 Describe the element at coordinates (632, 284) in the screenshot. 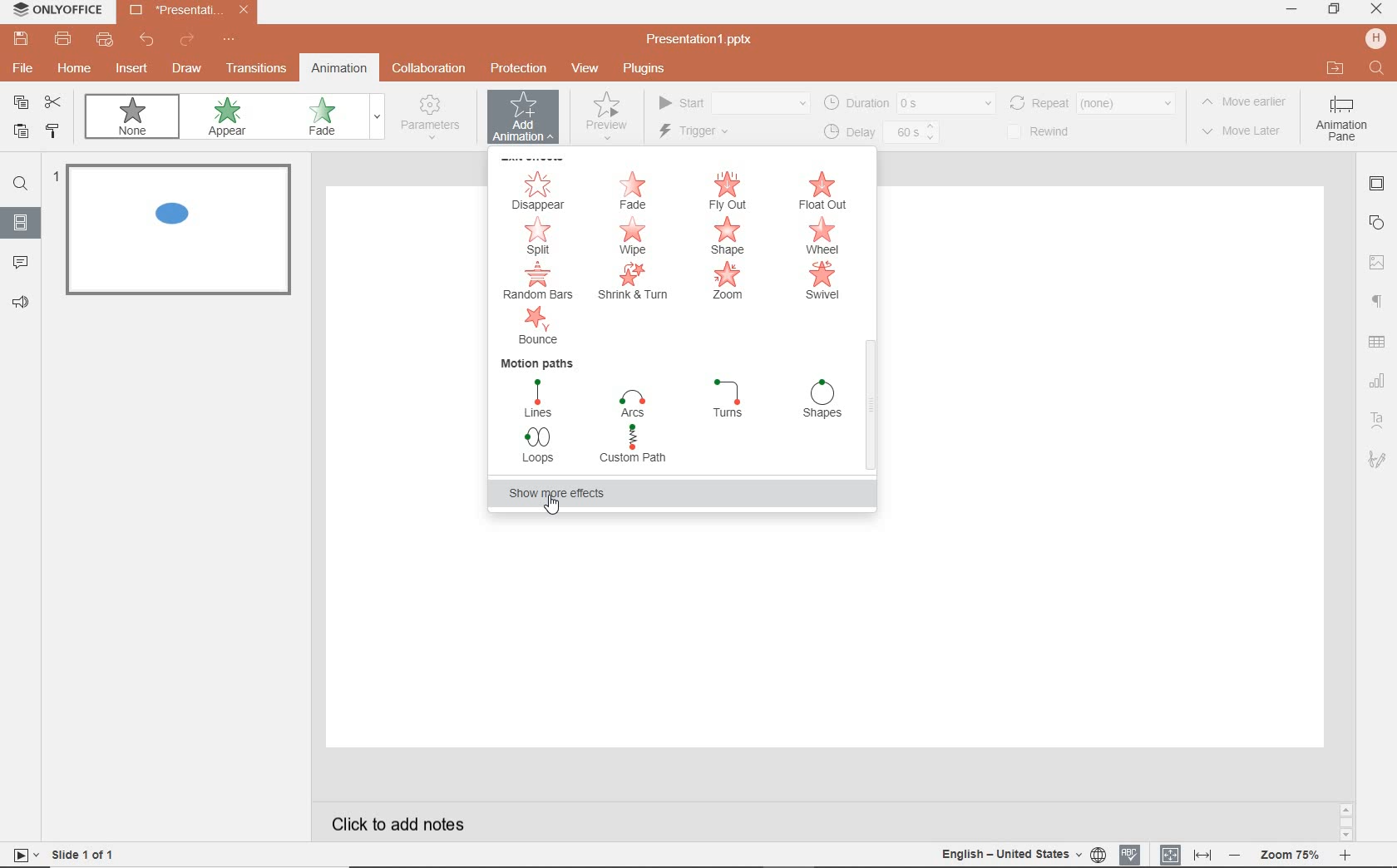

I see `SHRINK & TURN` at that location.